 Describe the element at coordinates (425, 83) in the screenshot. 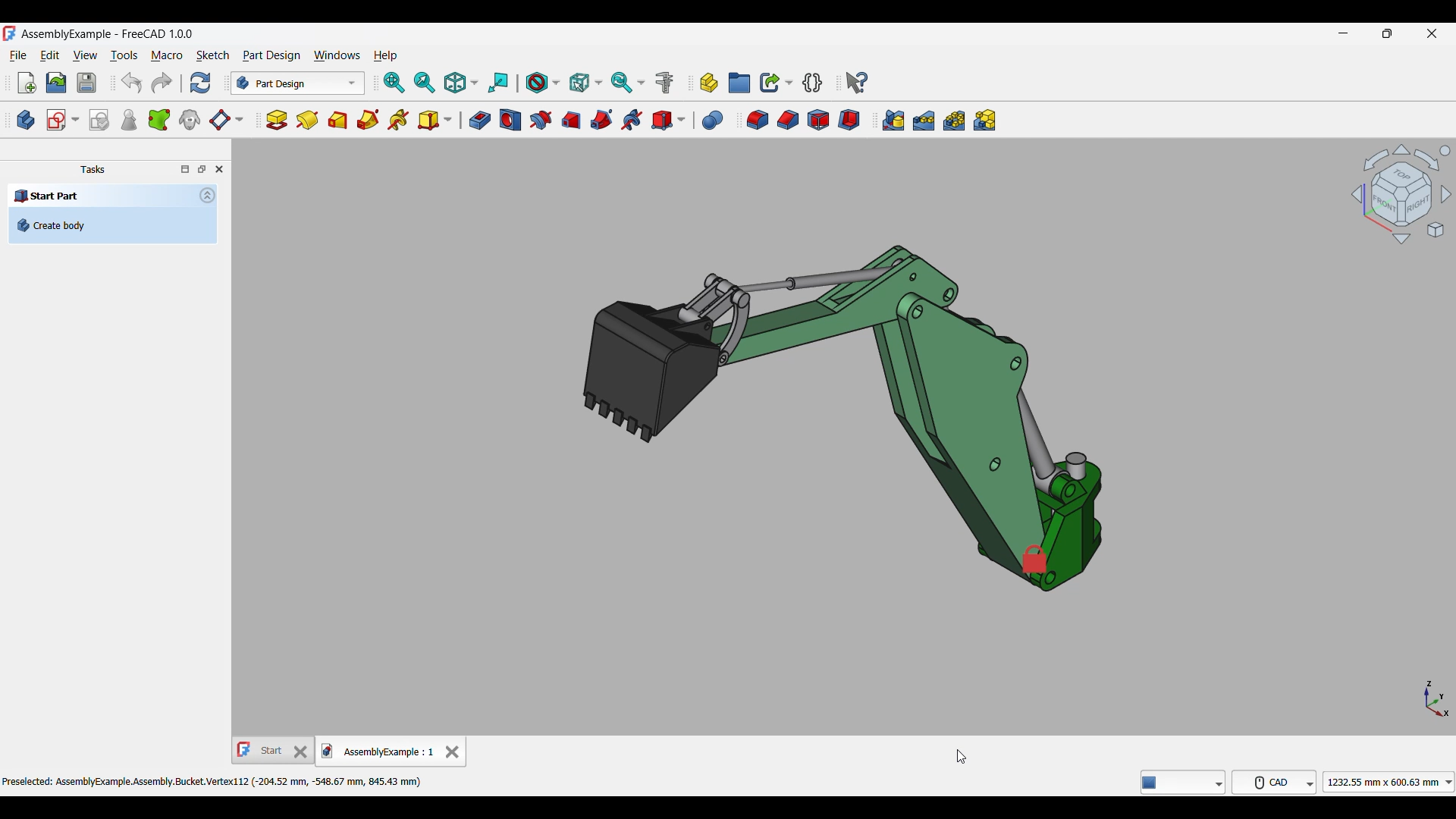

I see `Fit selection` at that location.